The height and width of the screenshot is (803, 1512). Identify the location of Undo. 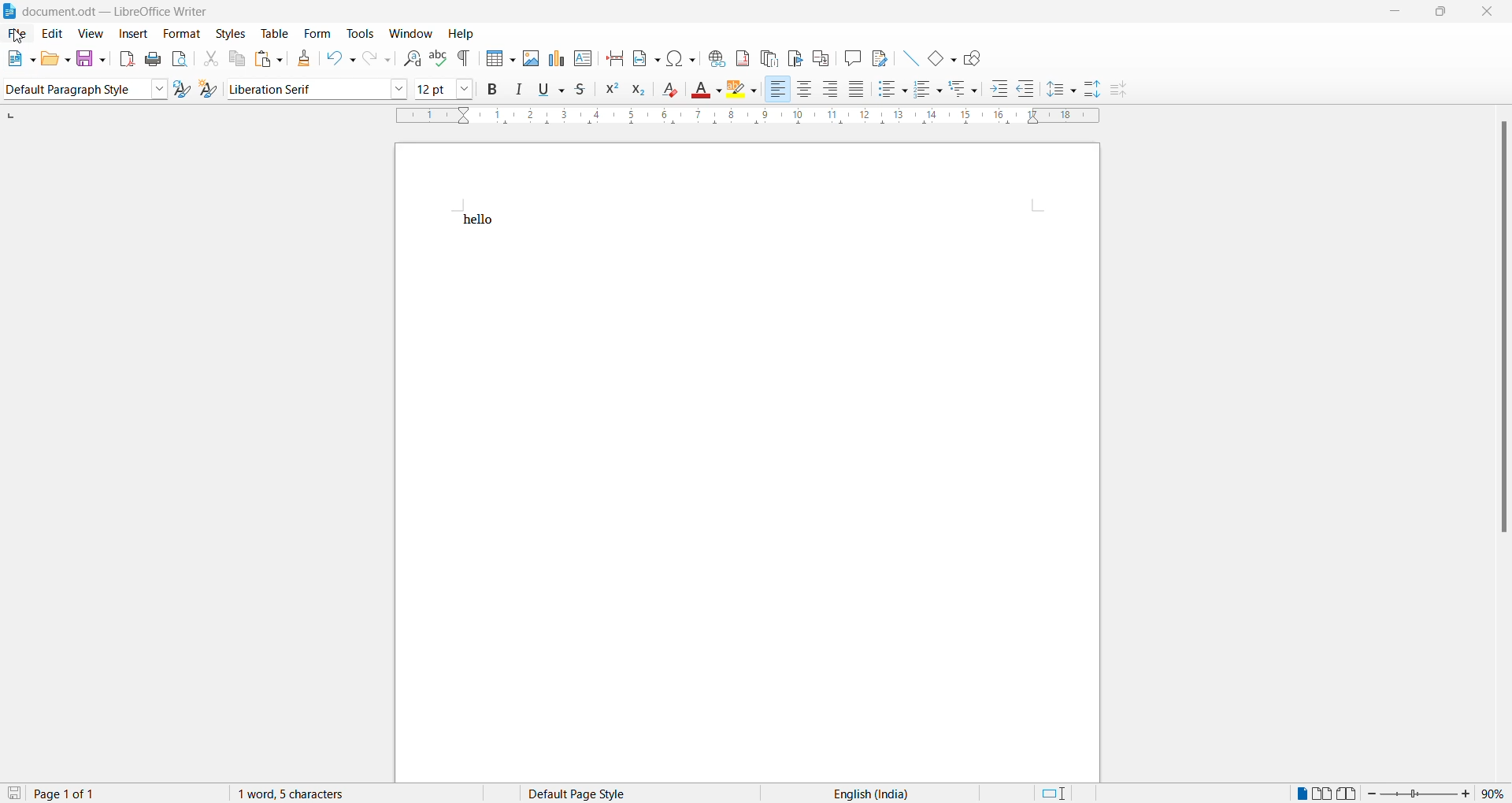
(334, 59).